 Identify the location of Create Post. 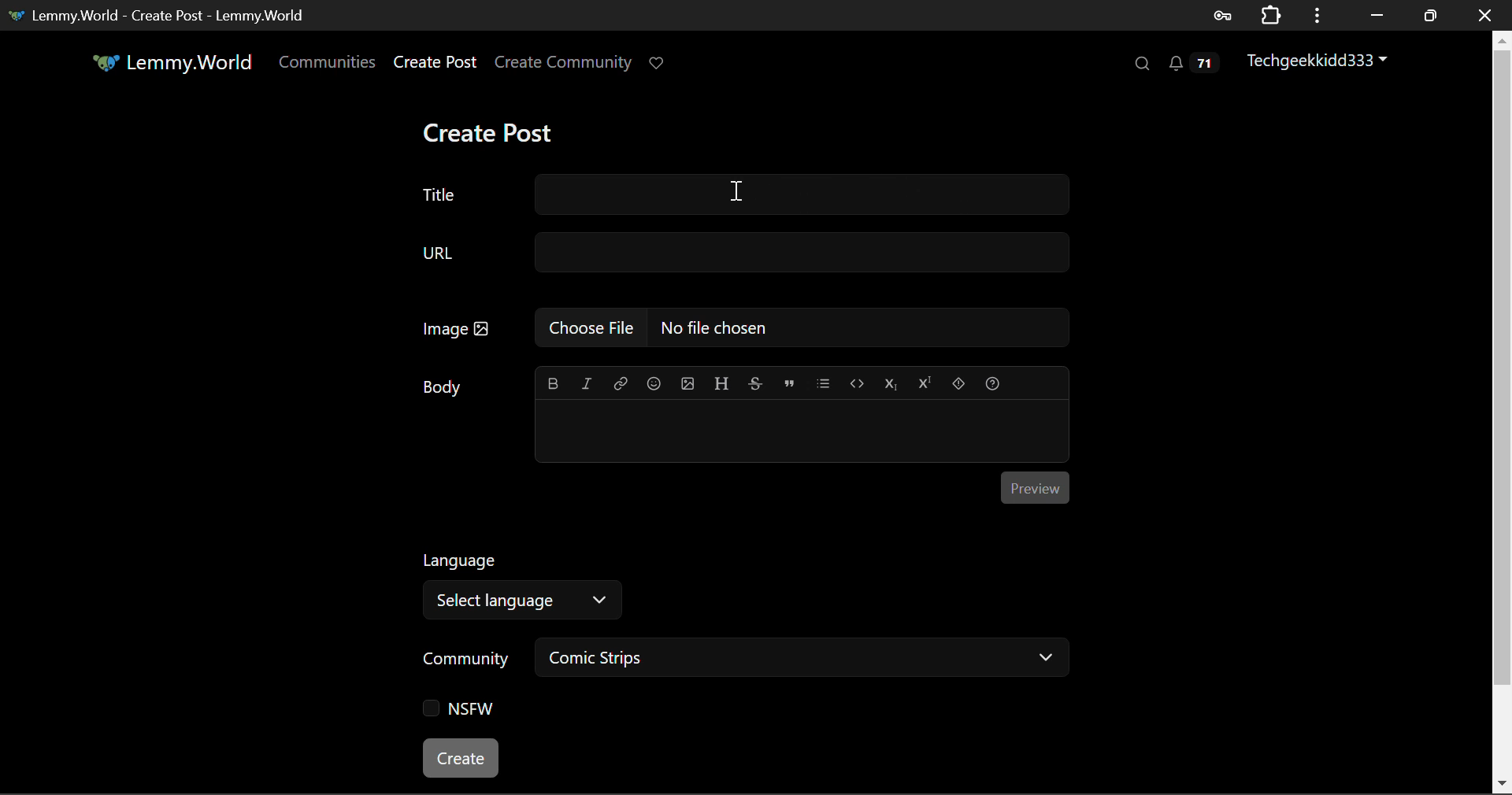
(434, 63).